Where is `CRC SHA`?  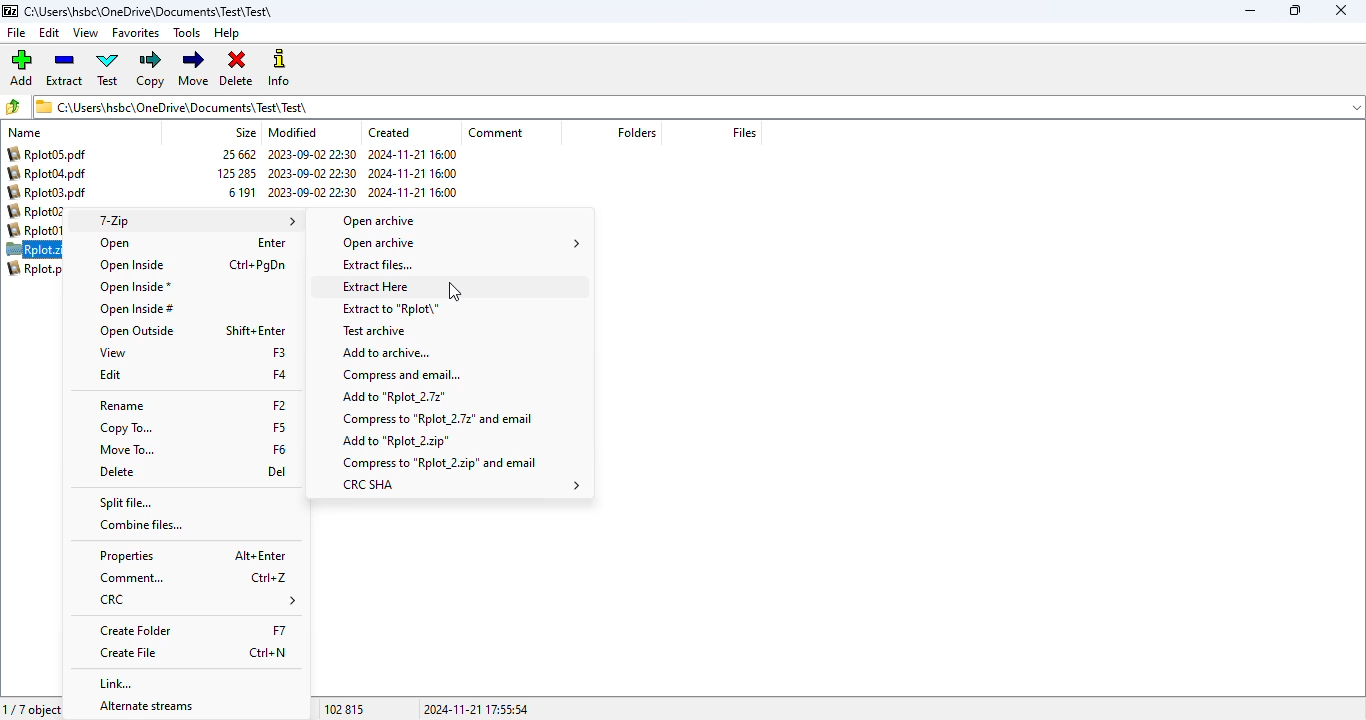
CRC SHA is located at coordinates (461, 485).